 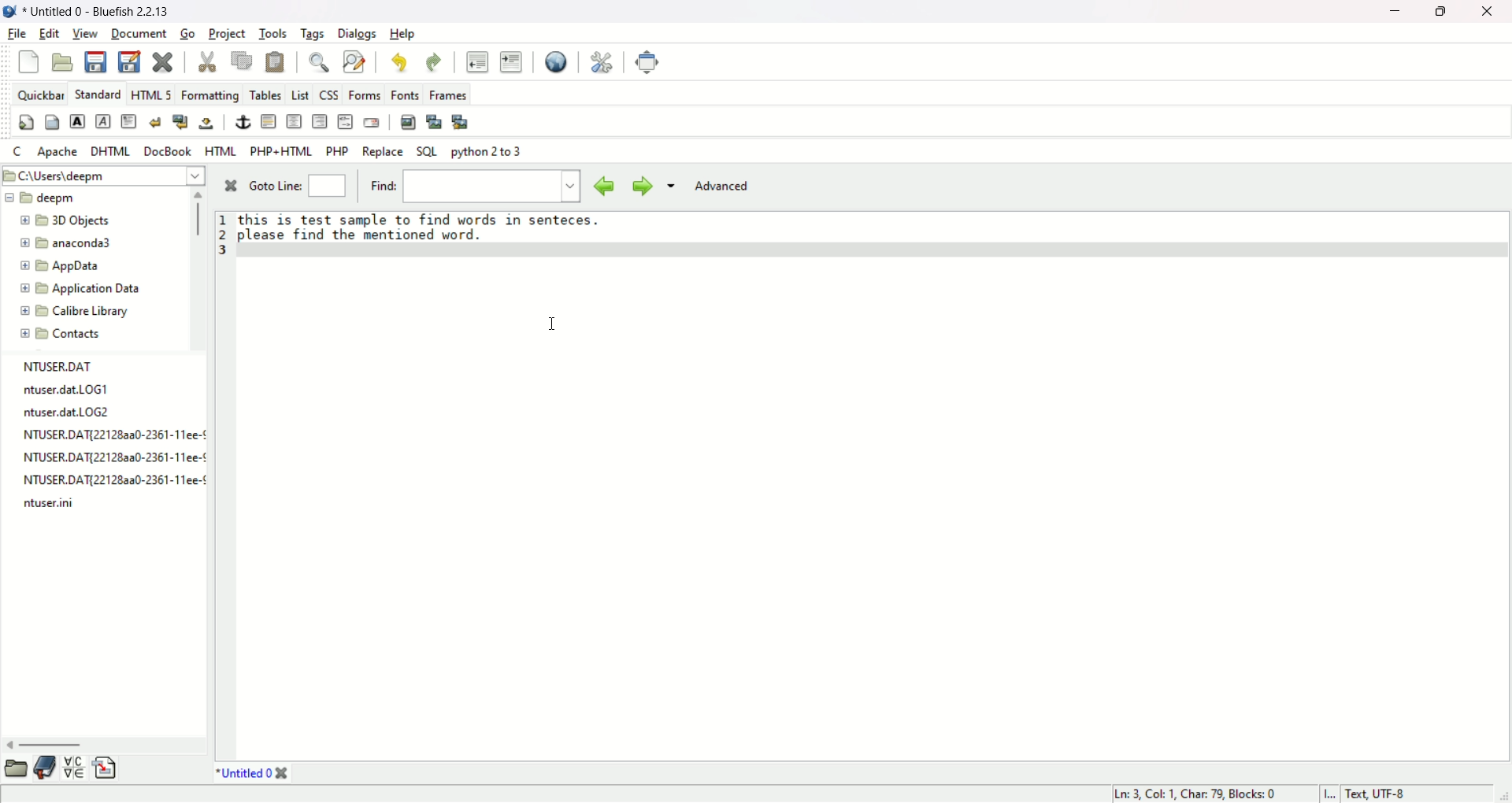 What do you see at coordinates (112, 150) in the screenshot?
I see `DHTML` at bounding box center [112, 150].